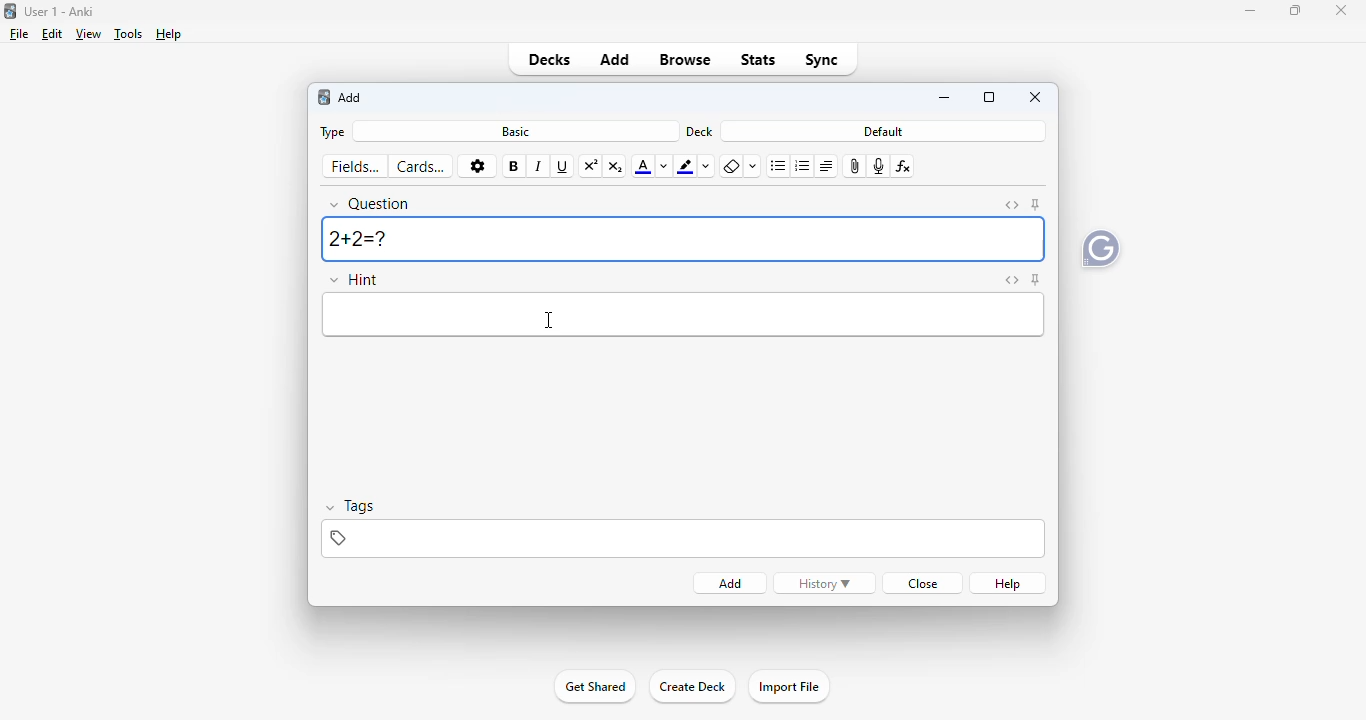  I want to click on hint, so click(353, 279).